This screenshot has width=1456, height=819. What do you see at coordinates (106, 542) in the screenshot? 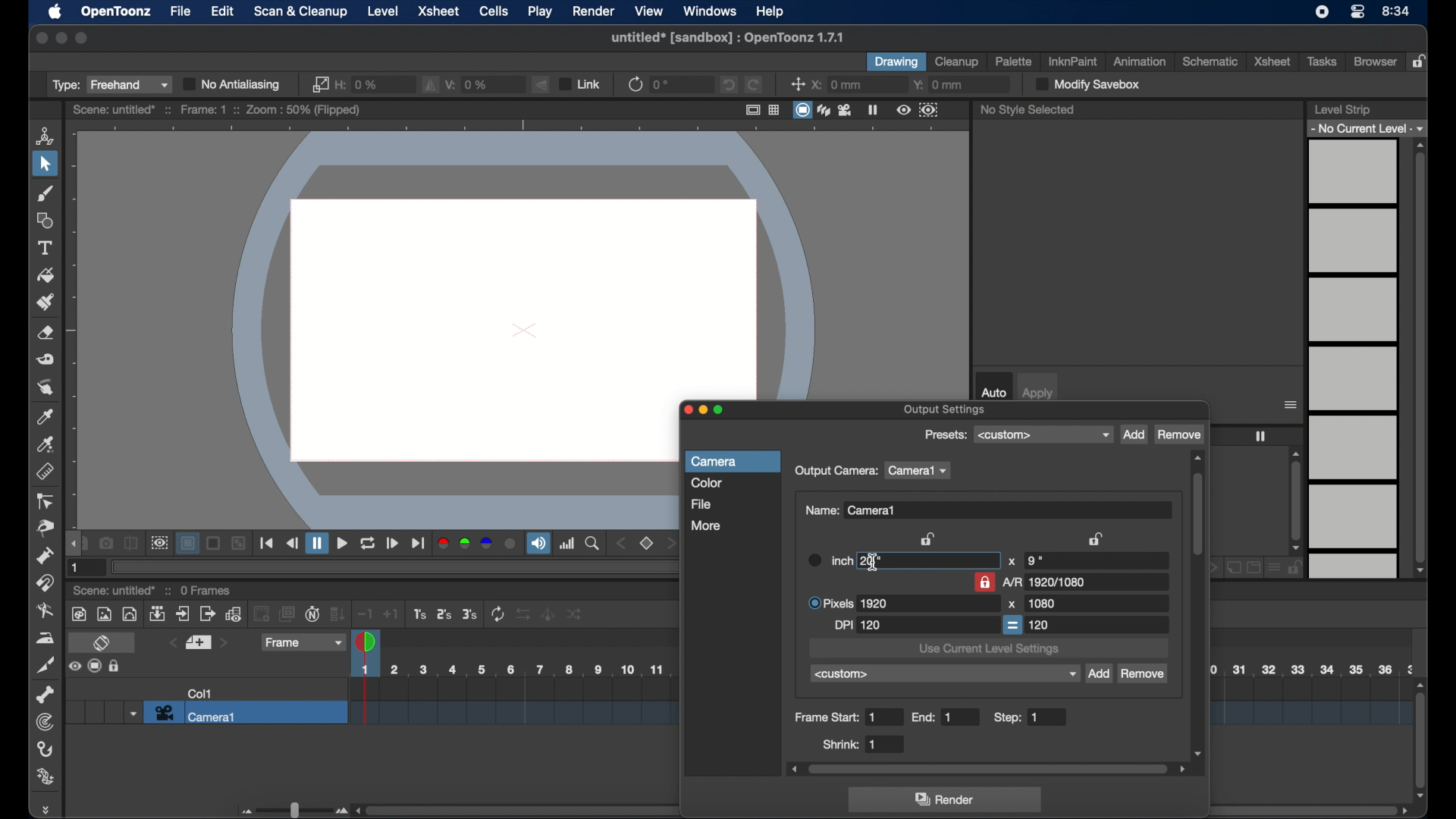
I see `snapshot` at bounding box center [106, 542].